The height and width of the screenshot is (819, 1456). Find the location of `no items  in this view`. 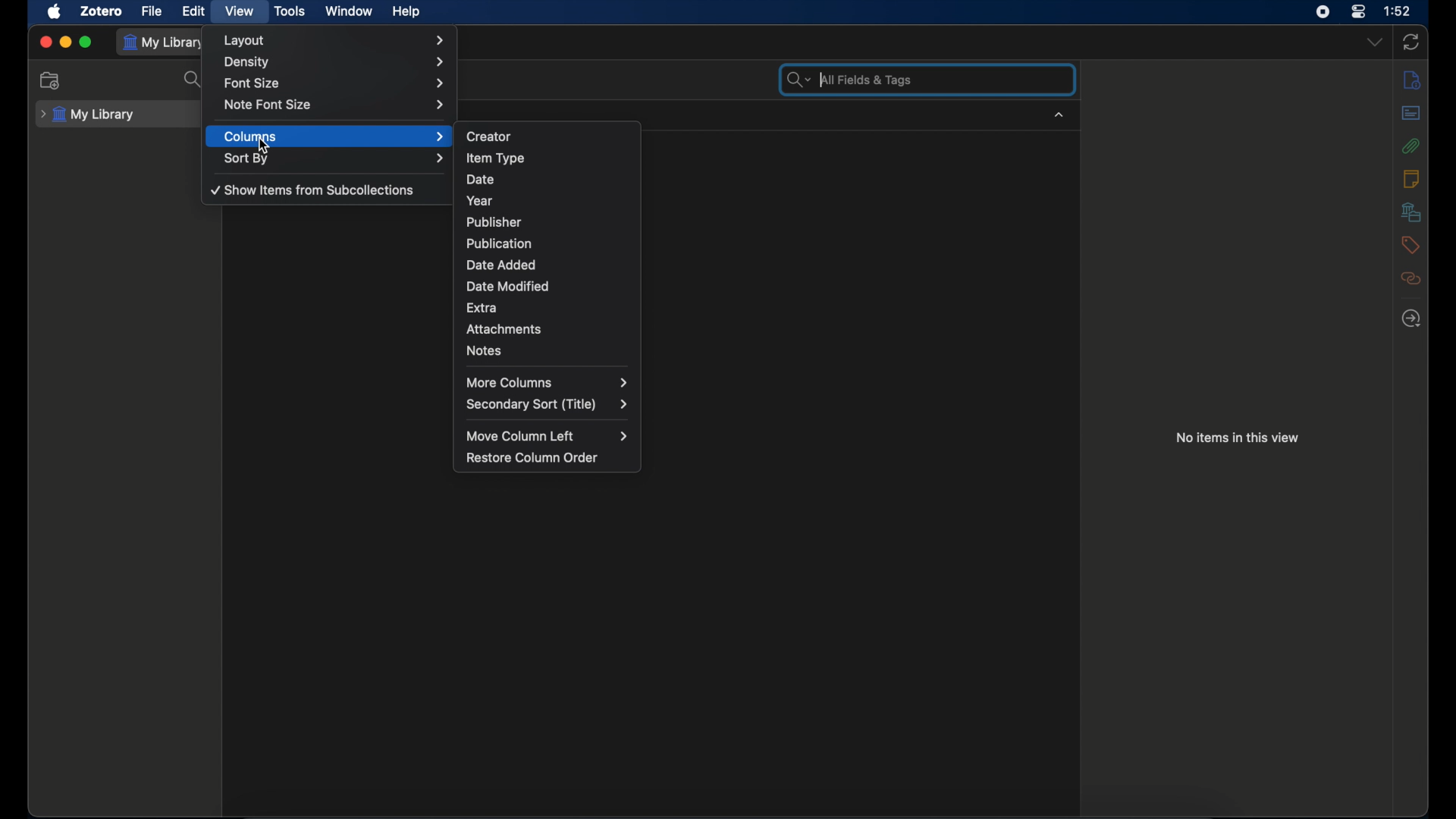

no items  in this view is located at coordinates (1238, 437).